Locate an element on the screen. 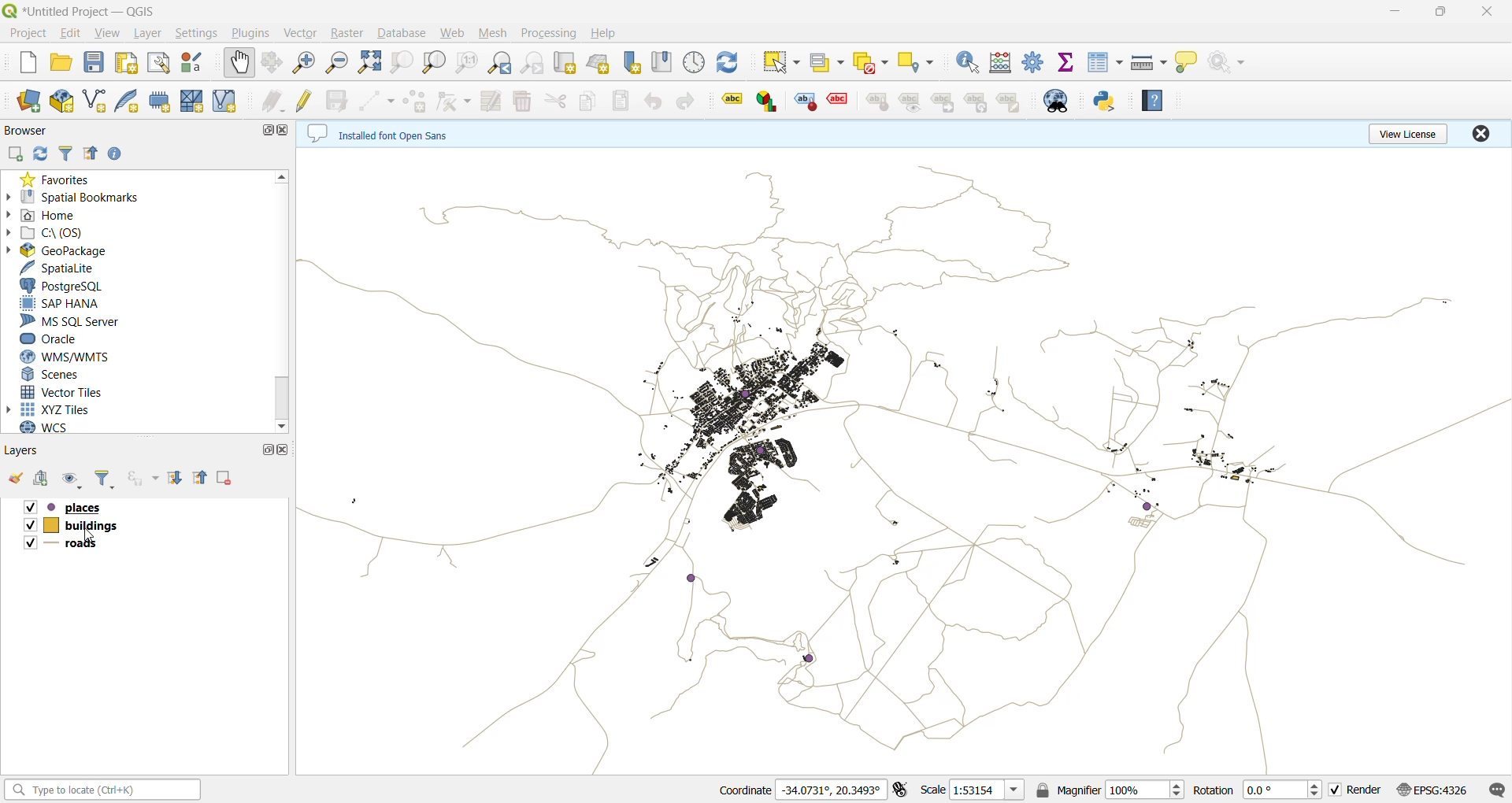 This screenshot has height=803, width=1512. linked label is located at coordinates (946, 103).